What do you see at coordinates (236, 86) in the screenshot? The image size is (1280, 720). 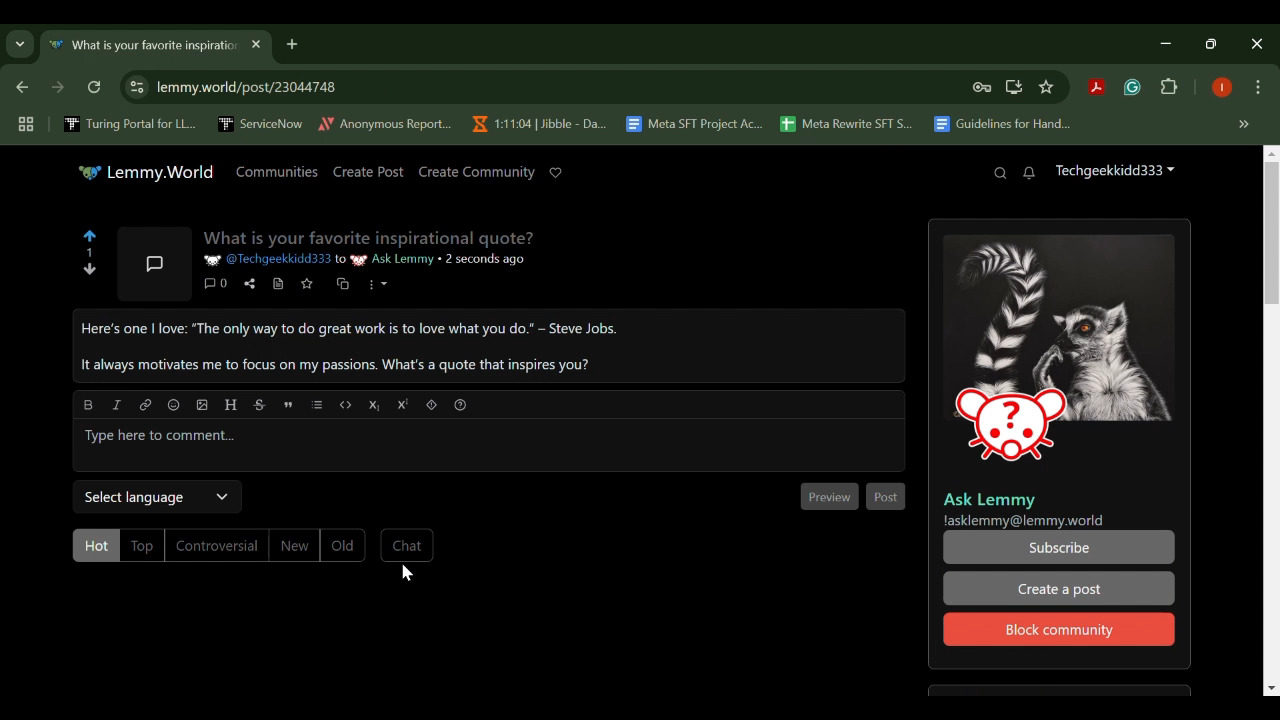 I see `25 lemmy.world/post/23044748` at bounding box center [236, 86].